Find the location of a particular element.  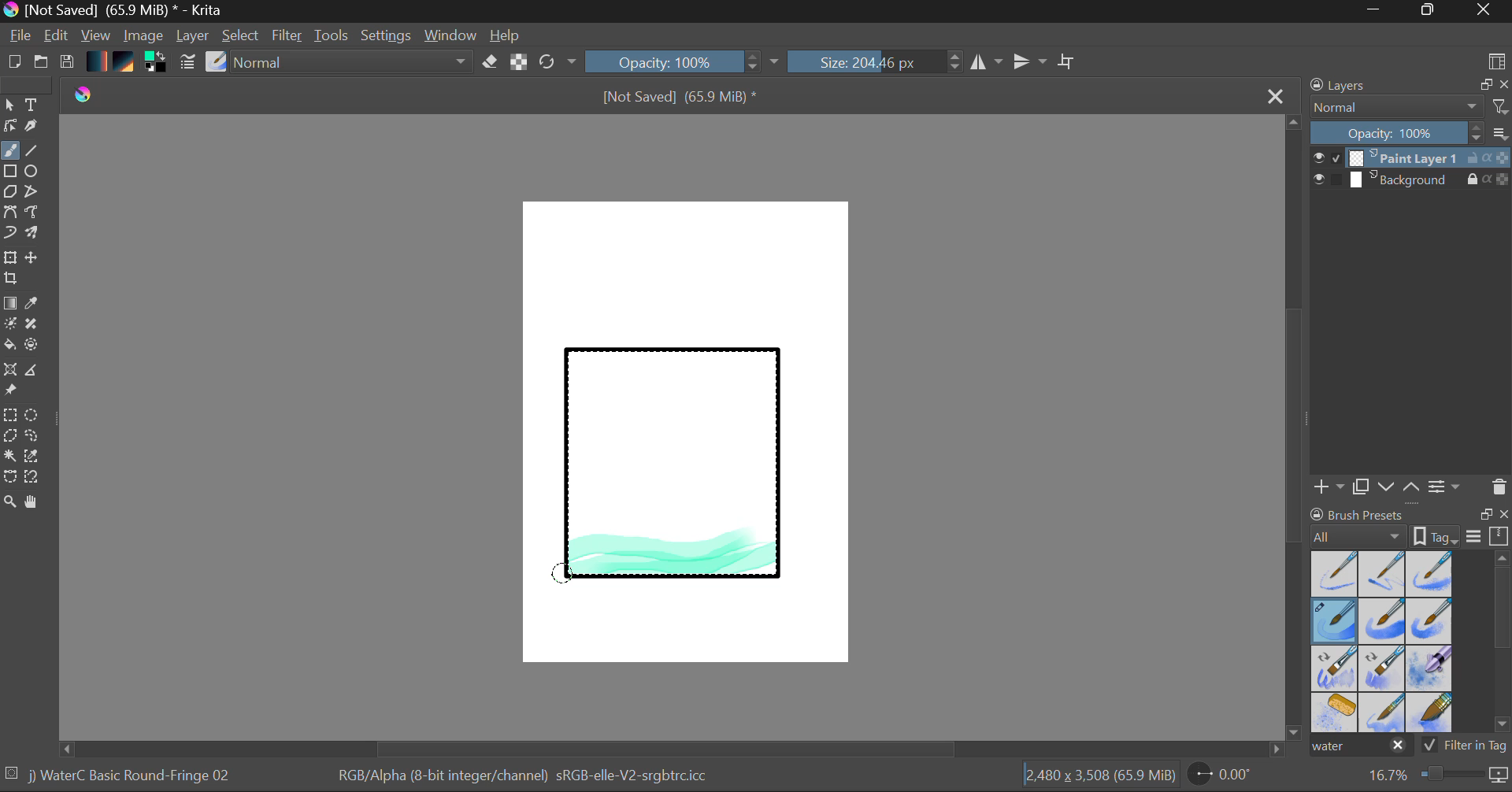

Zoom is located at coordinates (10, 503).